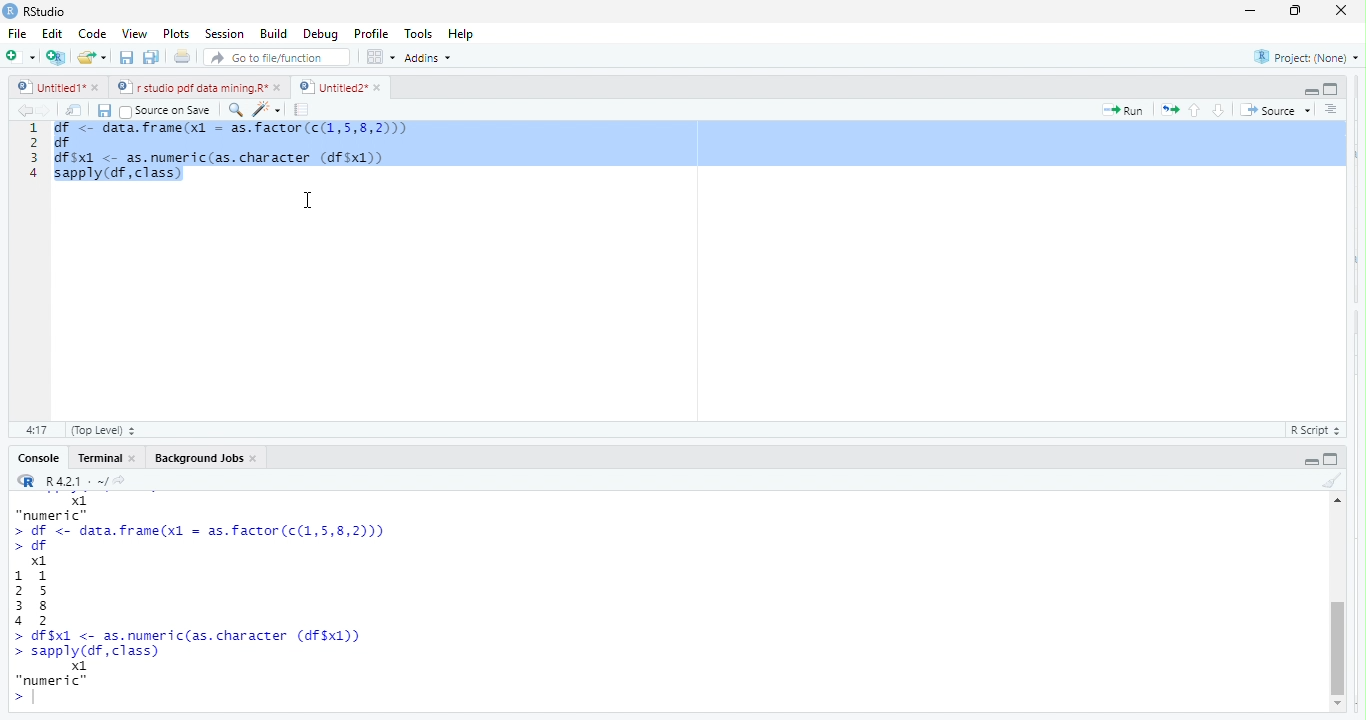 Image resolution: width=1366 pixels, height=720 pixels. What do you see at coordinates (1340, 601) in the screenshot?
I see `vertical scroll bar` at bounding box center [1340, 601].